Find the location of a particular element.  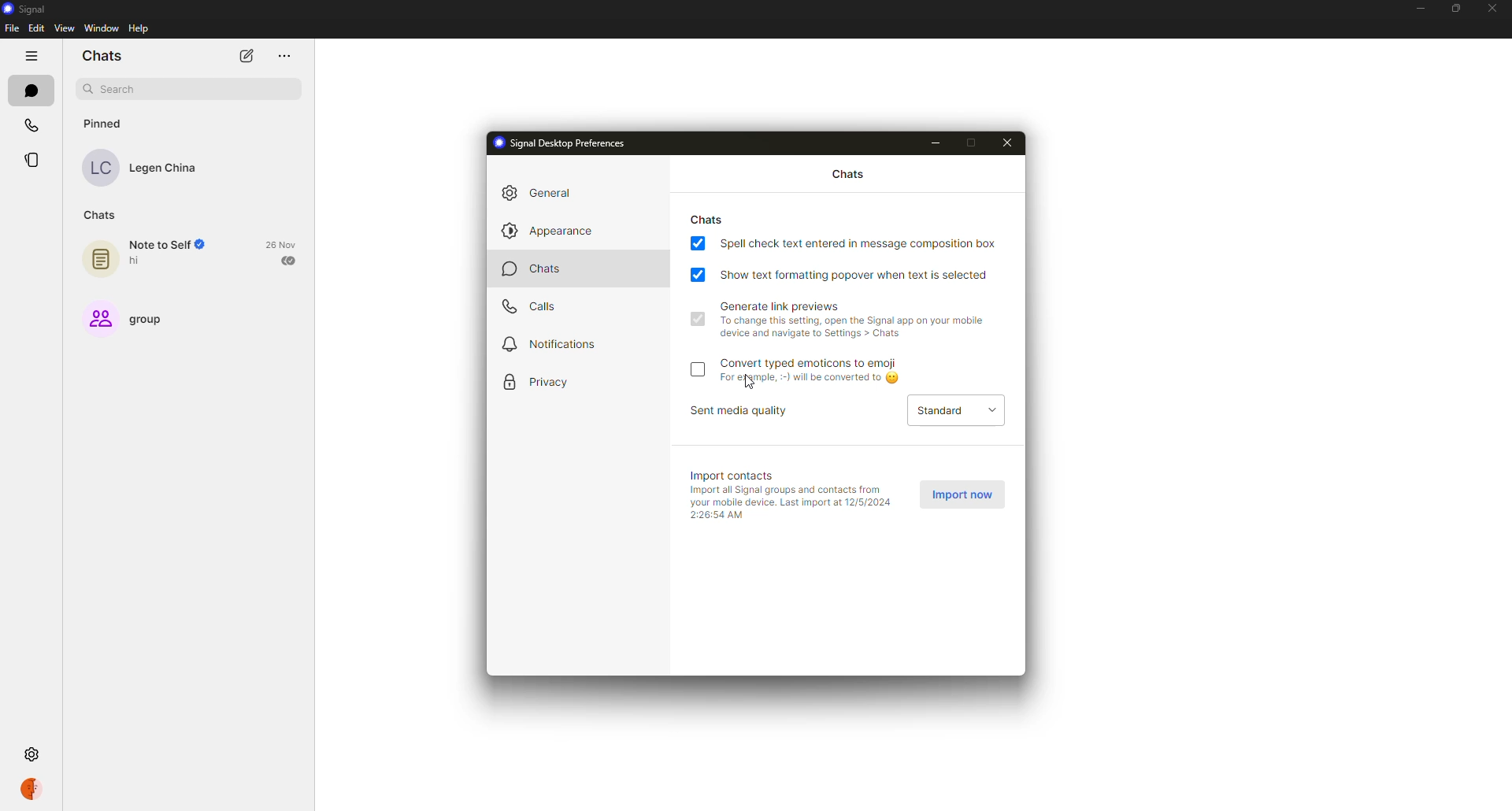

enabled is located at coordinates (700, 274).